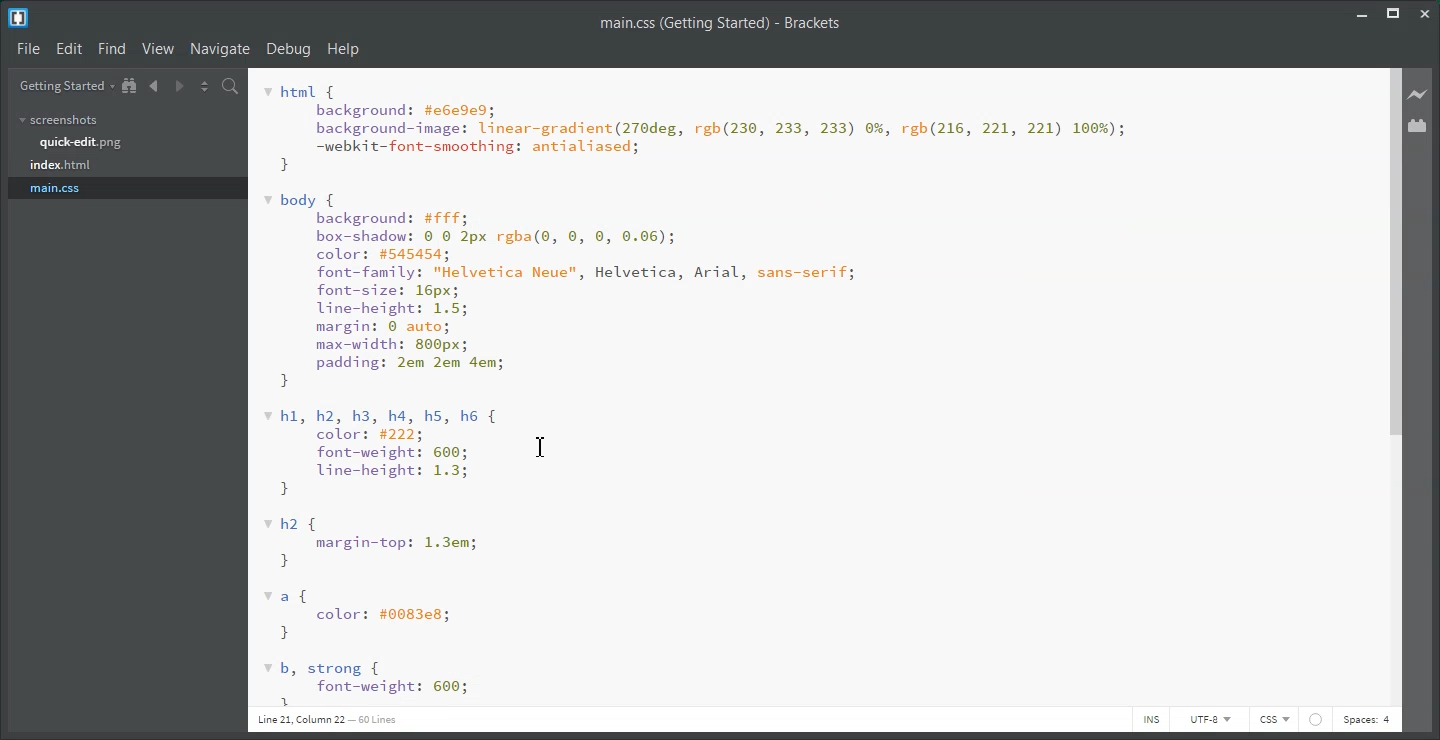  What do you see at coordinates (1202, 721) in the screenshot?
I see `UTF-8` at bounding box center [1202, 721].